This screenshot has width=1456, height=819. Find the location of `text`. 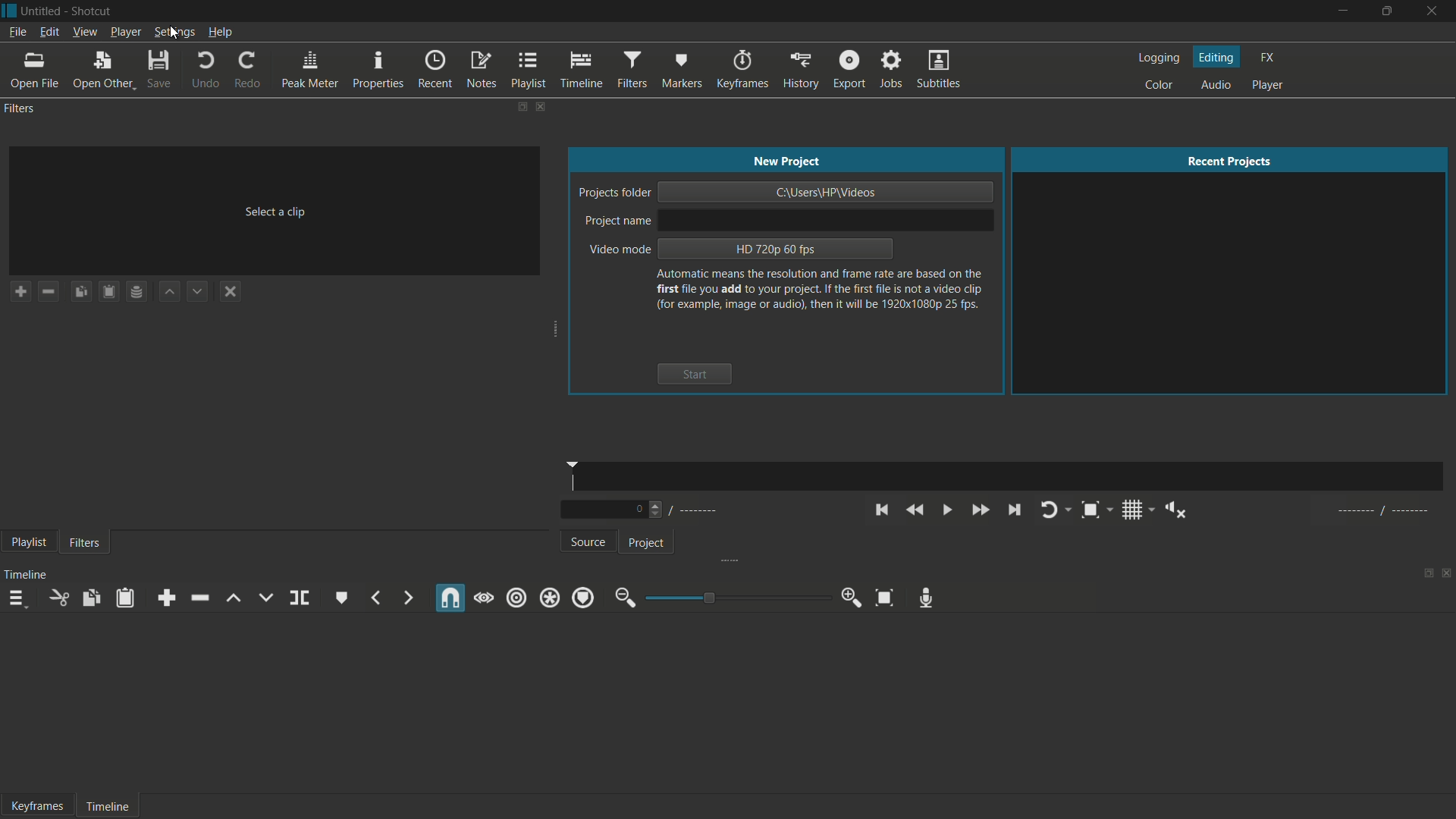

text is located at coordinates (821, 290).